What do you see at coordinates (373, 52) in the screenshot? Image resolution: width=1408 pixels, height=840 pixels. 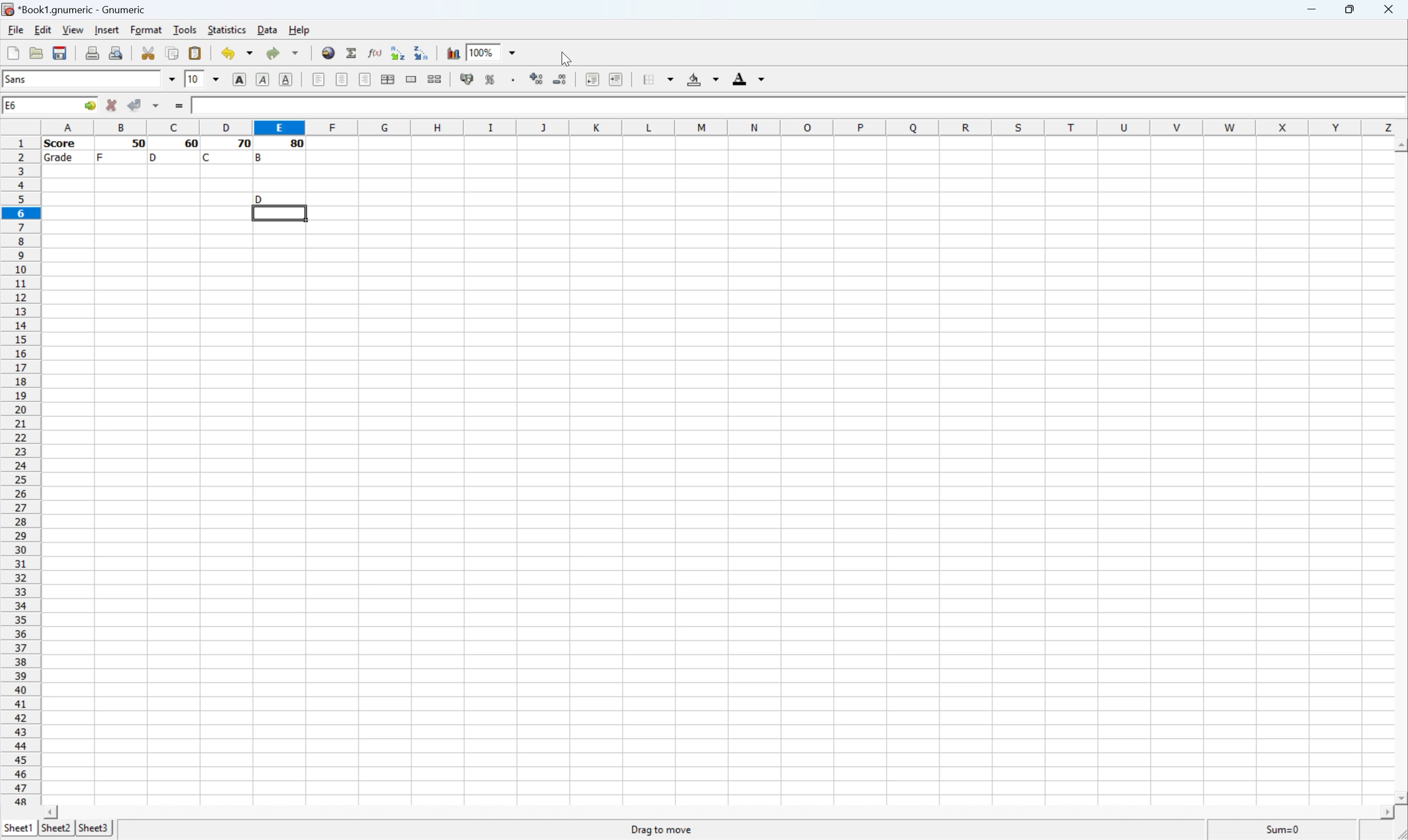 I see `Edit a function into the current cell` at bounding box center [373, 52].